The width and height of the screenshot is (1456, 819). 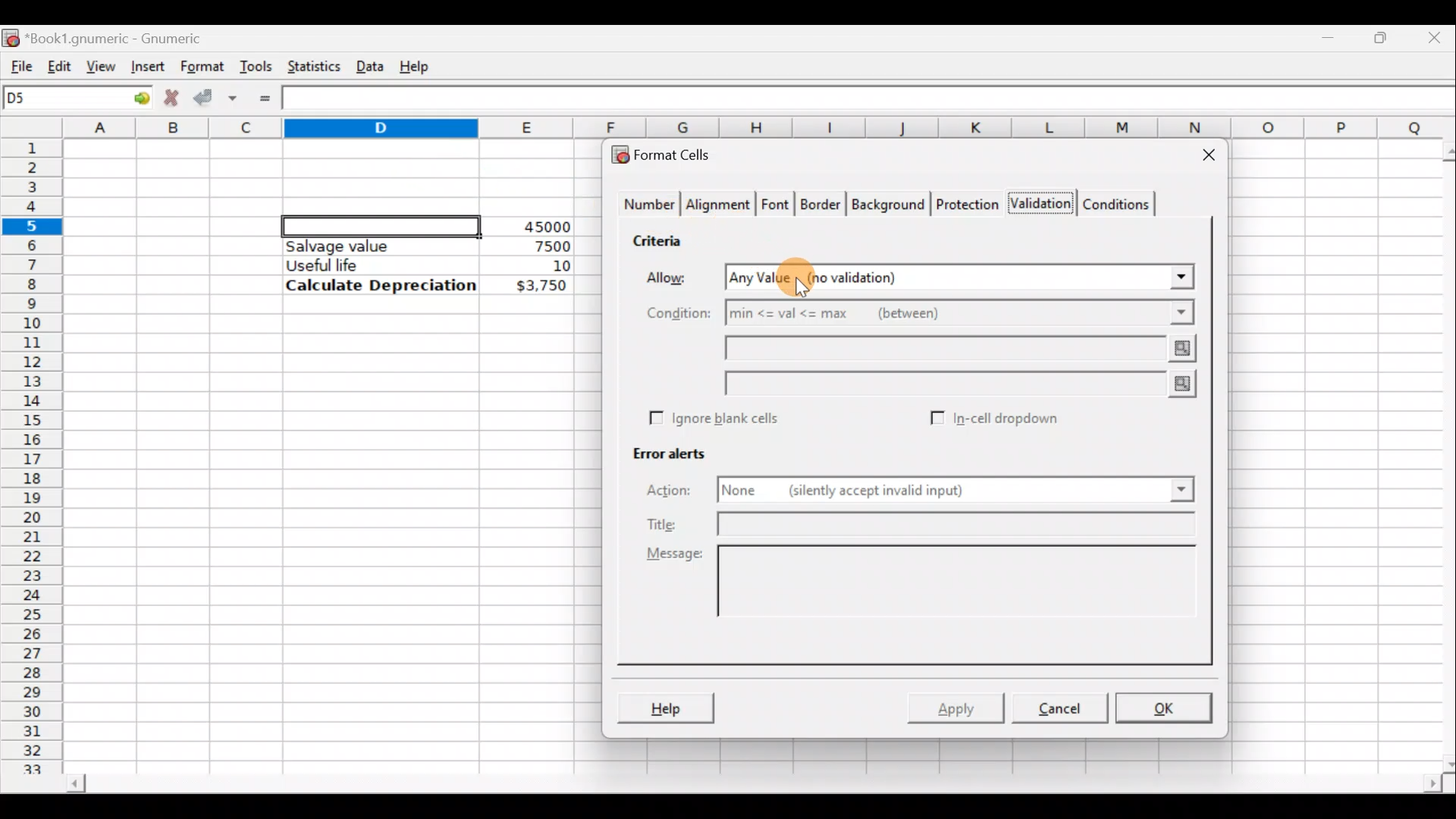 I want to click on Gnumeric logo, so click(x=11, y=36).